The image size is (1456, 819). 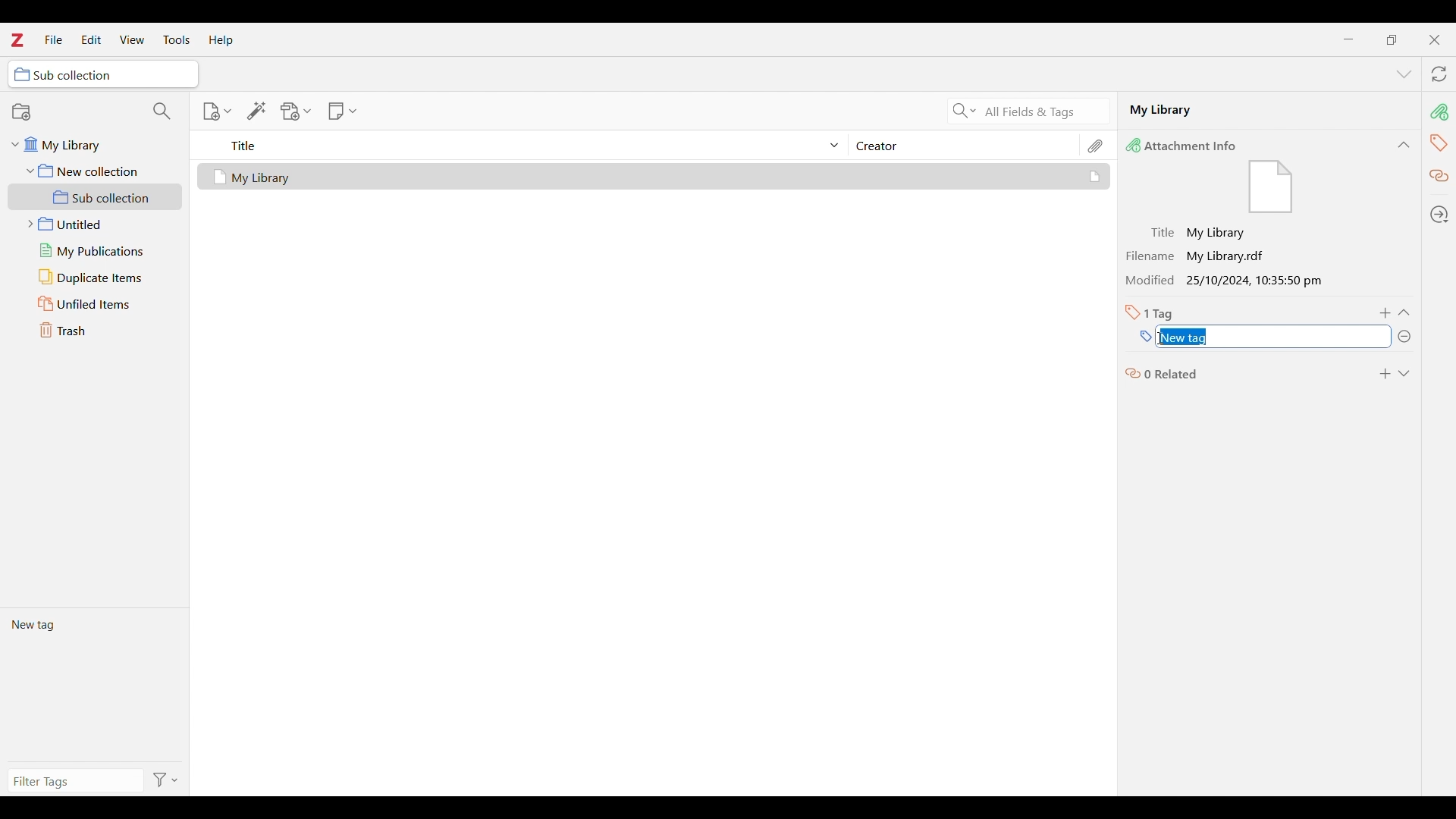 I want to click on Remove, so click(x=1404, y=337).